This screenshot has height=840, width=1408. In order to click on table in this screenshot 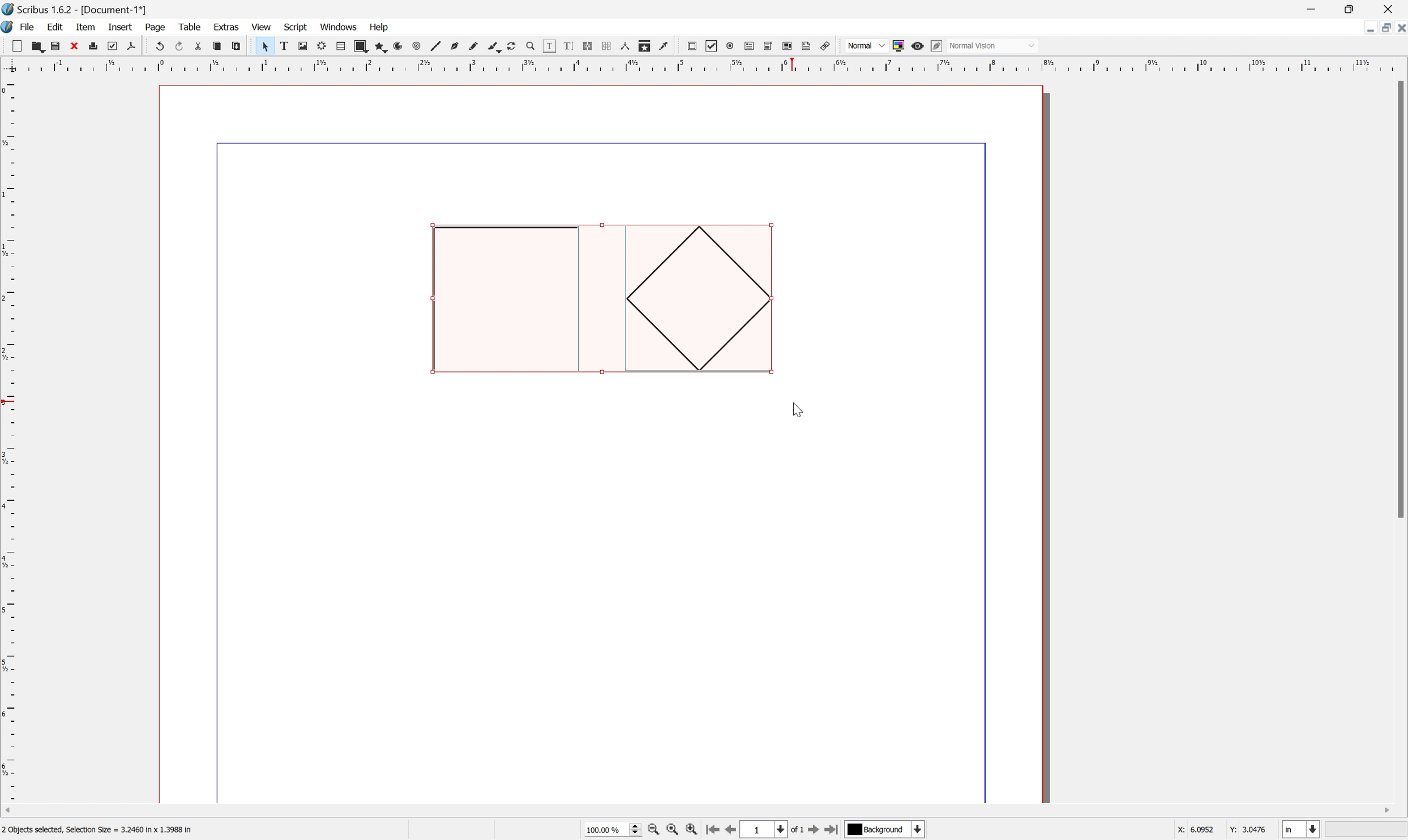, I will do `click(192, 28)`.